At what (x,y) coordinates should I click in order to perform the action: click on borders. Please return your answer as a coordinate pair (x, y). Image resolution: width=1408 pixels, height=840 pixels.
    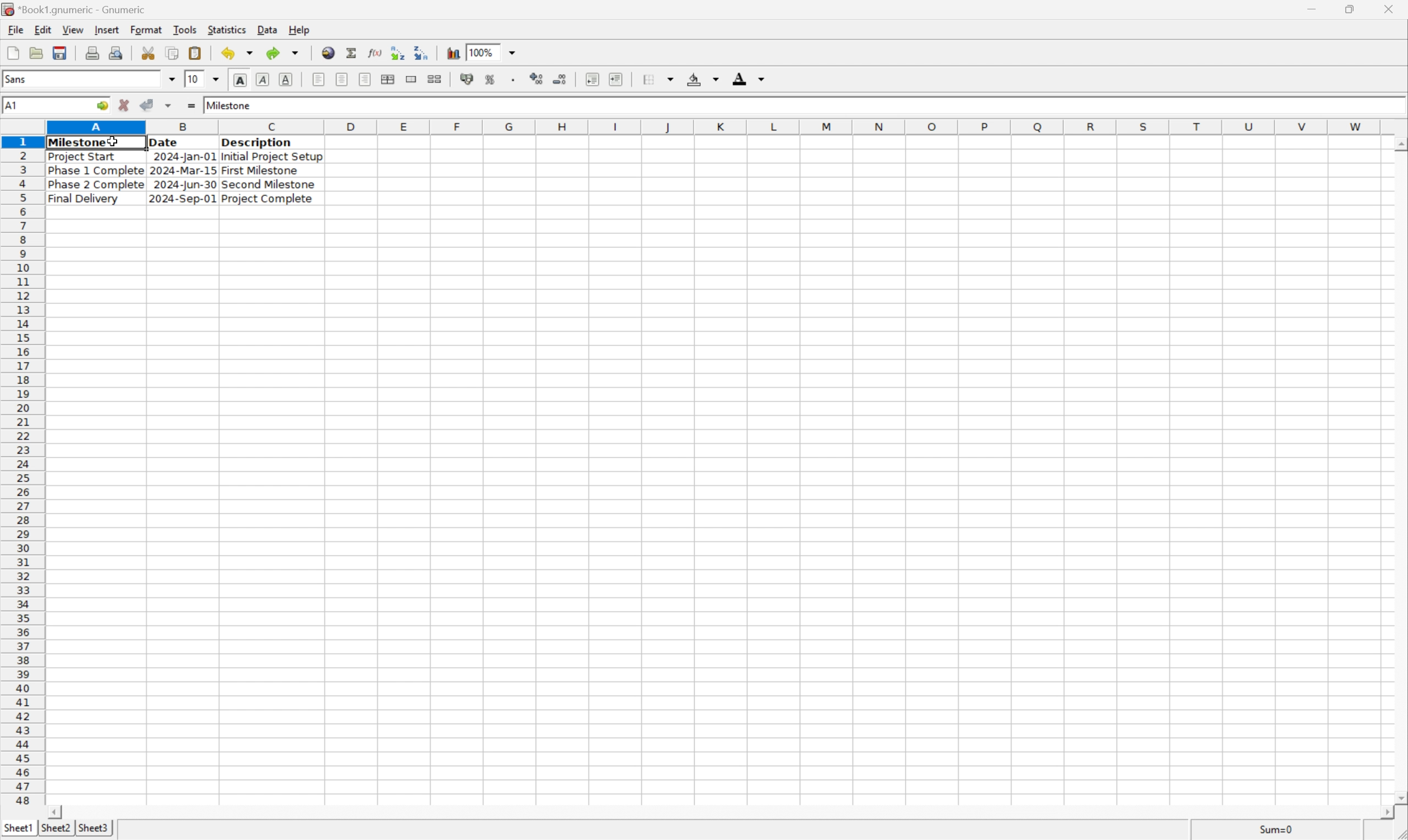
    Looking at the image, I should click on (663, 79).